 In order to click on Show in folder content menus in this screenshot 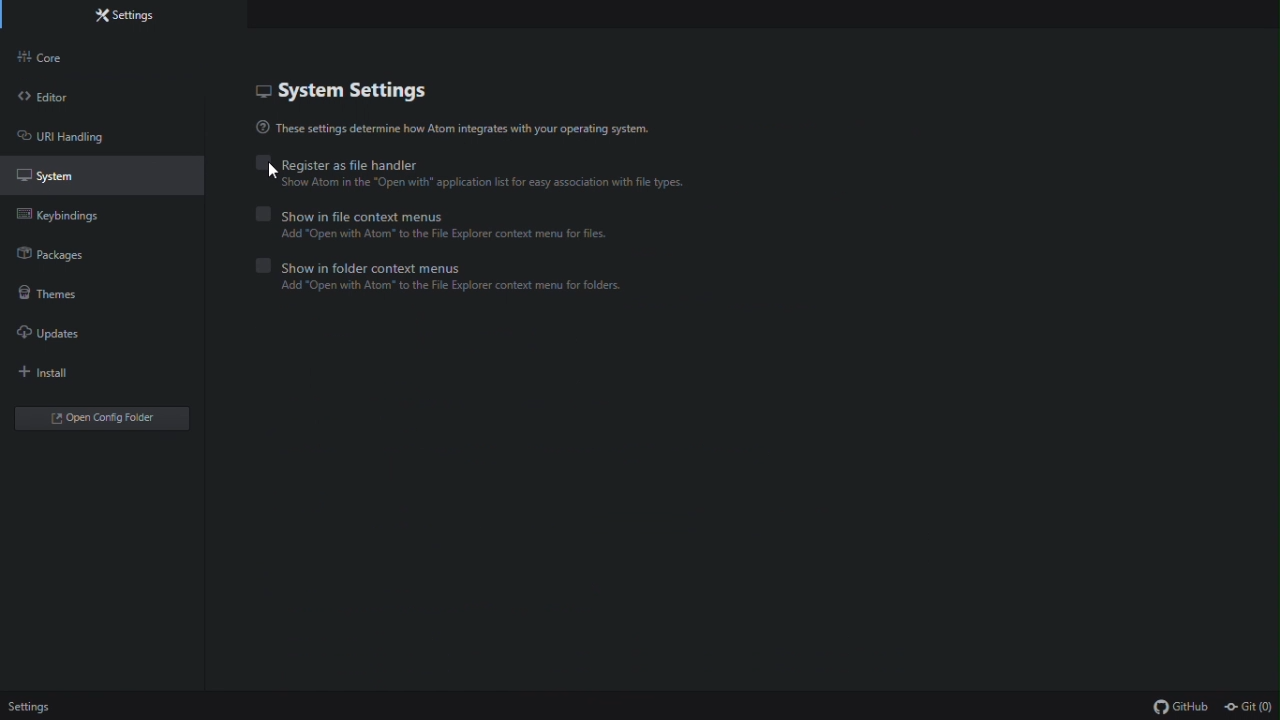, I will do `click(475, 265)`.